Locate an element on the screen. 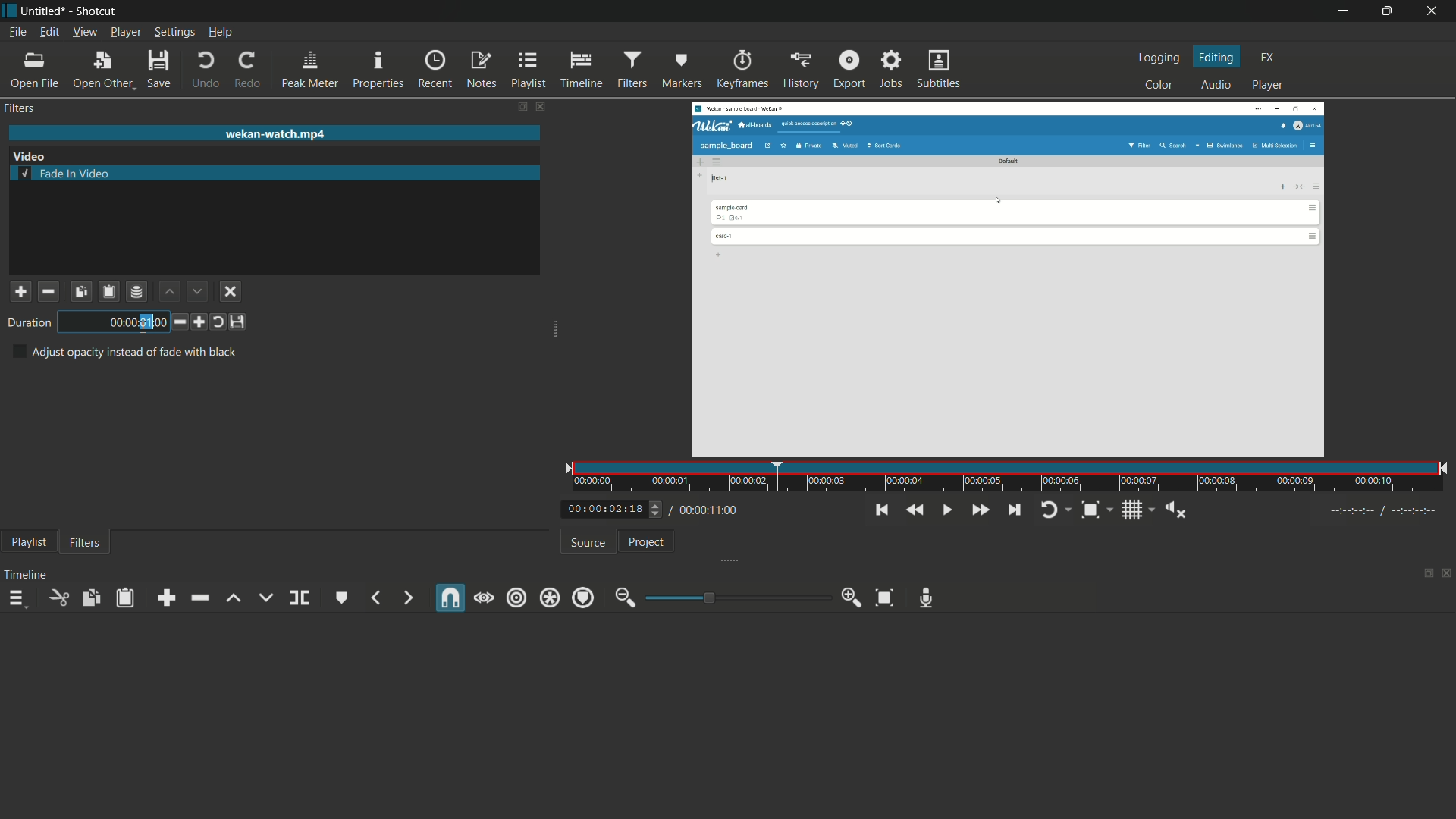 The width and height of the screenshot is (1456, 819). quickly play forward is located at coordinates (980, 510).